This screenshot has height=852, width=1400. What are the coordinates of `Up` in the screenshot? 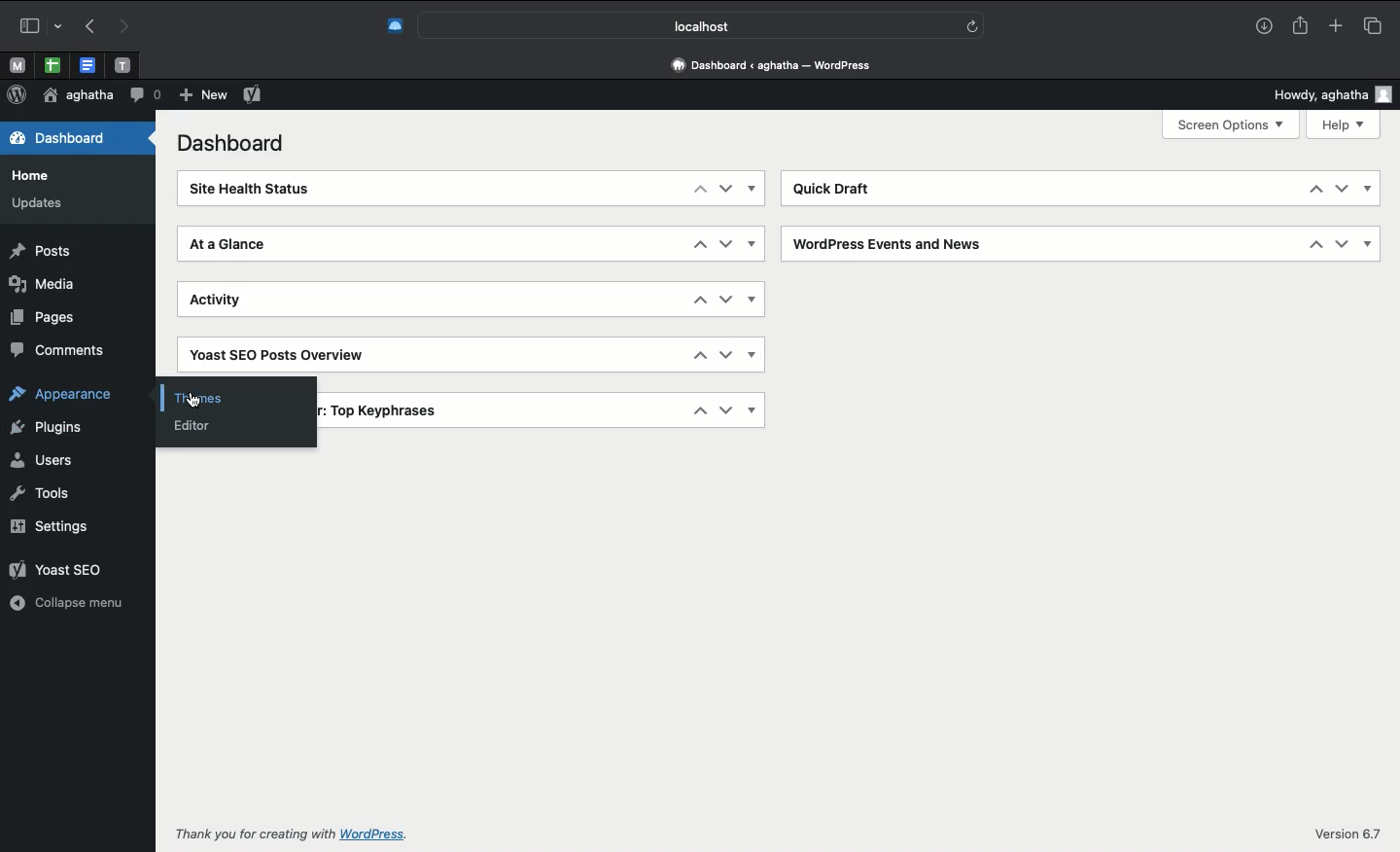 It's located at (699, 188).